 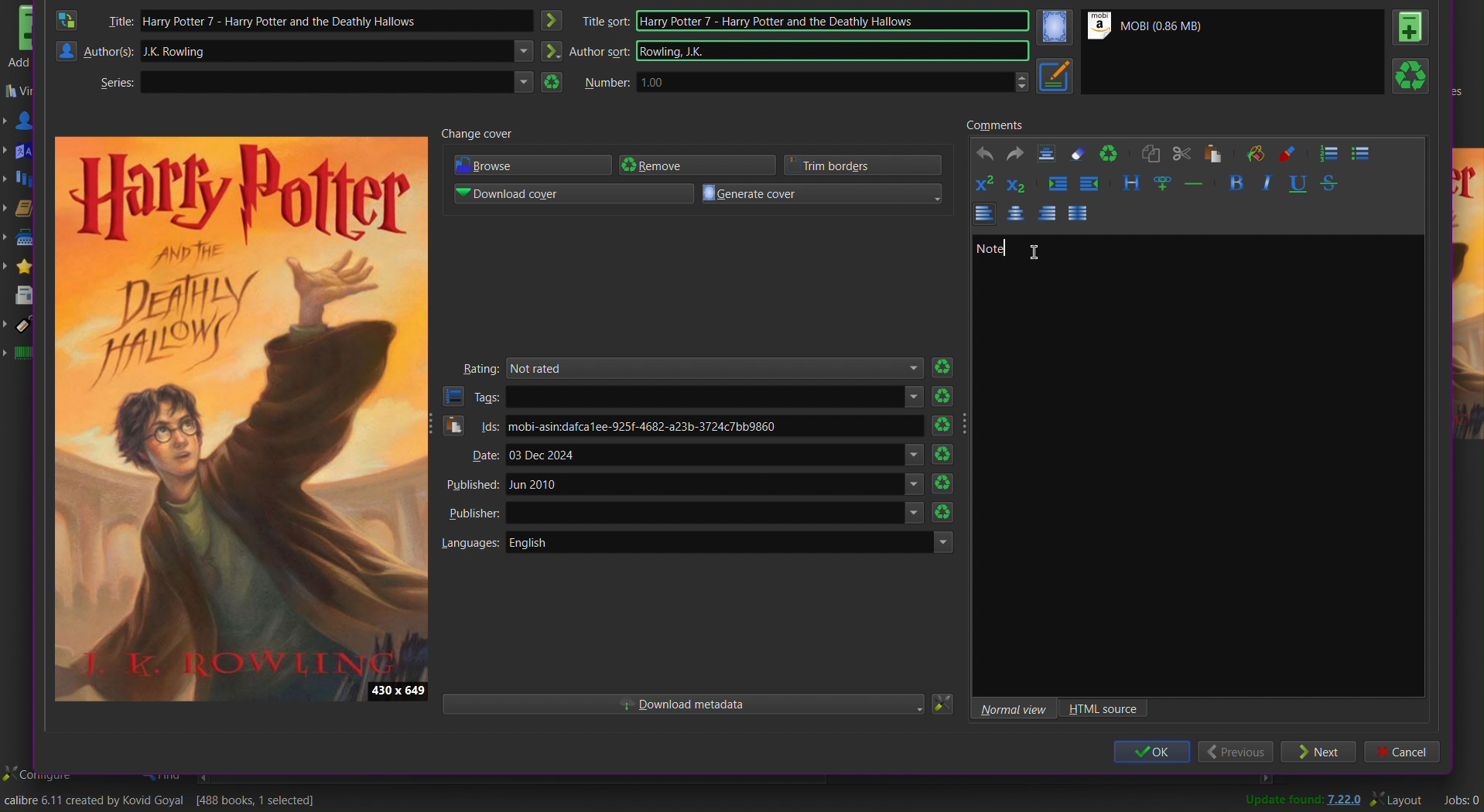 What do you see at coordinates (1147, 28) in the screenshot?
I see `Mobi` at bounding box center [1147, 28].